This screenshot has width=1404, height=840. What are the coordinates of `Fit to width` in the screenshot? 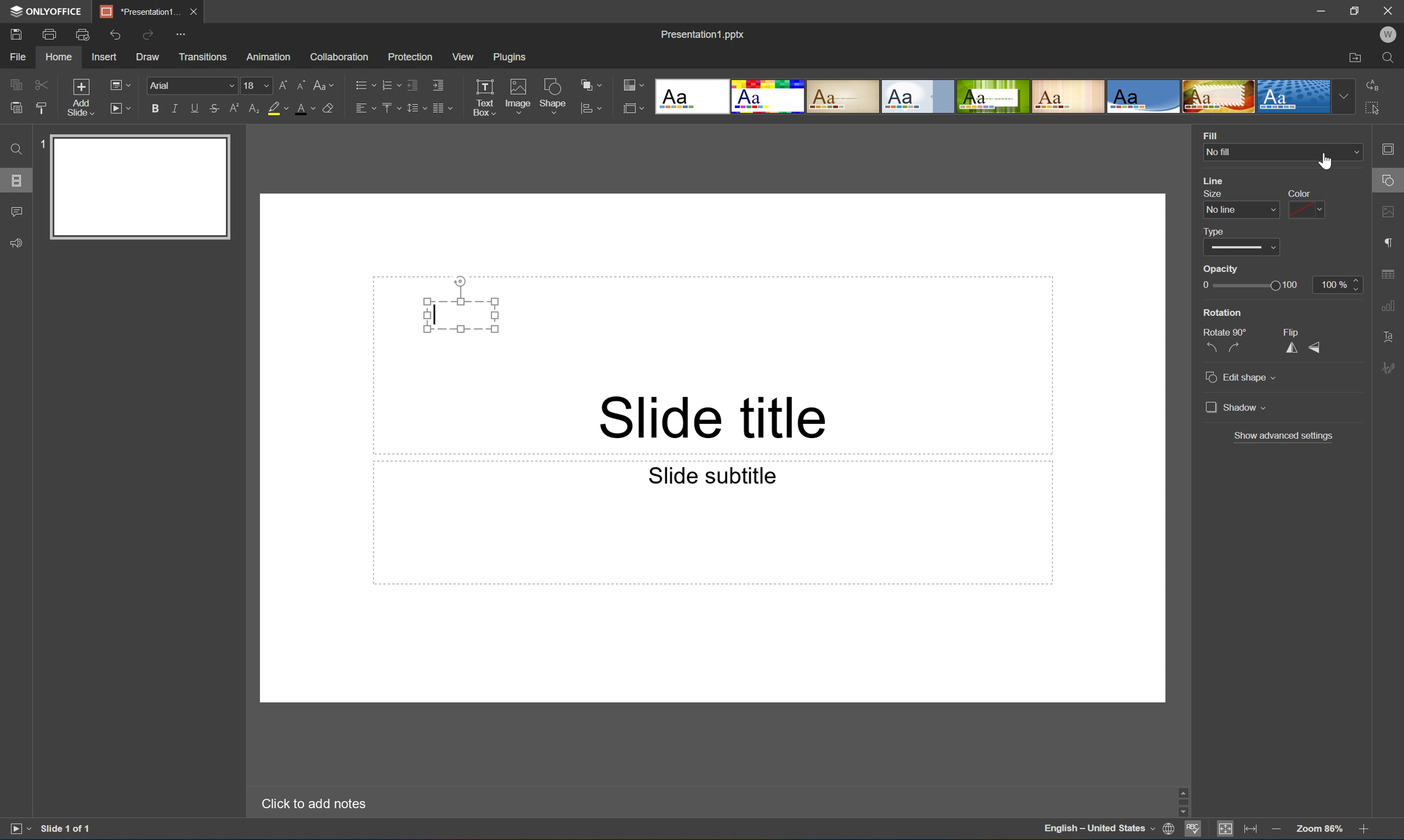 It's located at (1251, 830).